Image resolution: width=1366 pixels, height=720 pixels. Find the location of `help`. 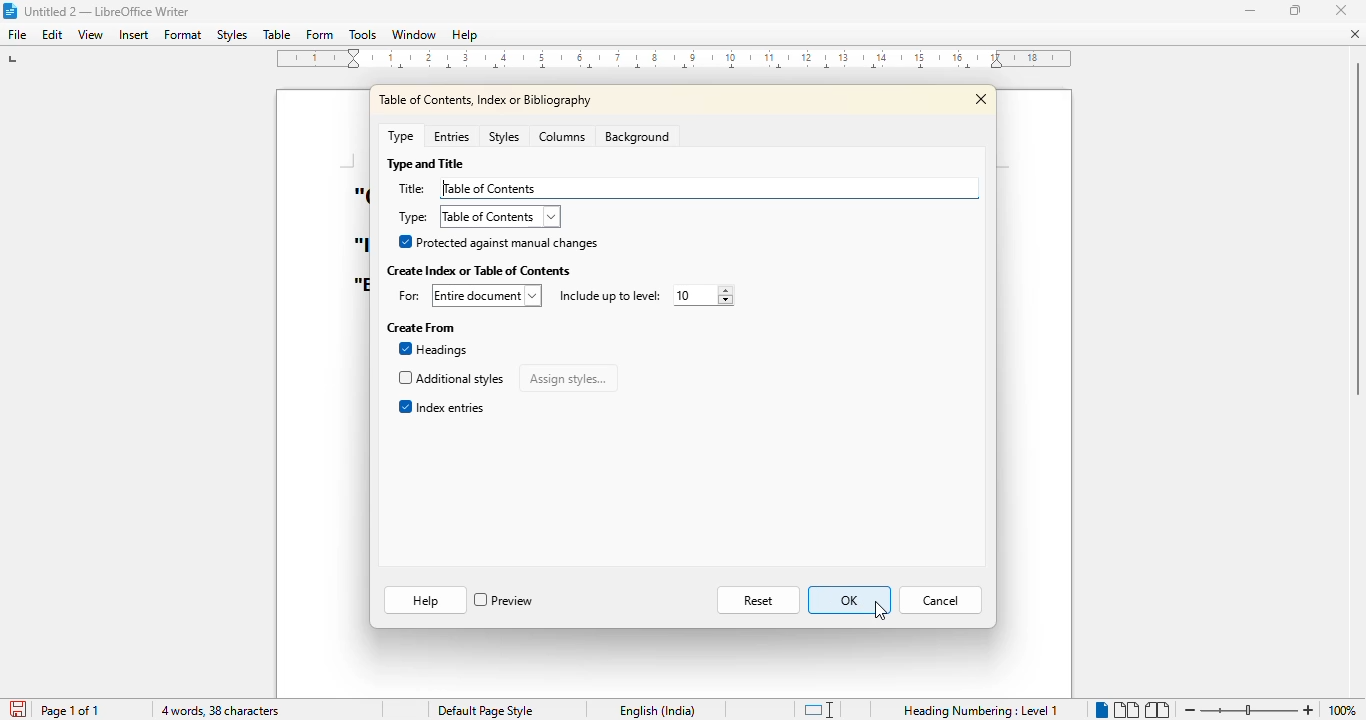

help is located at coordinates (464, 34).